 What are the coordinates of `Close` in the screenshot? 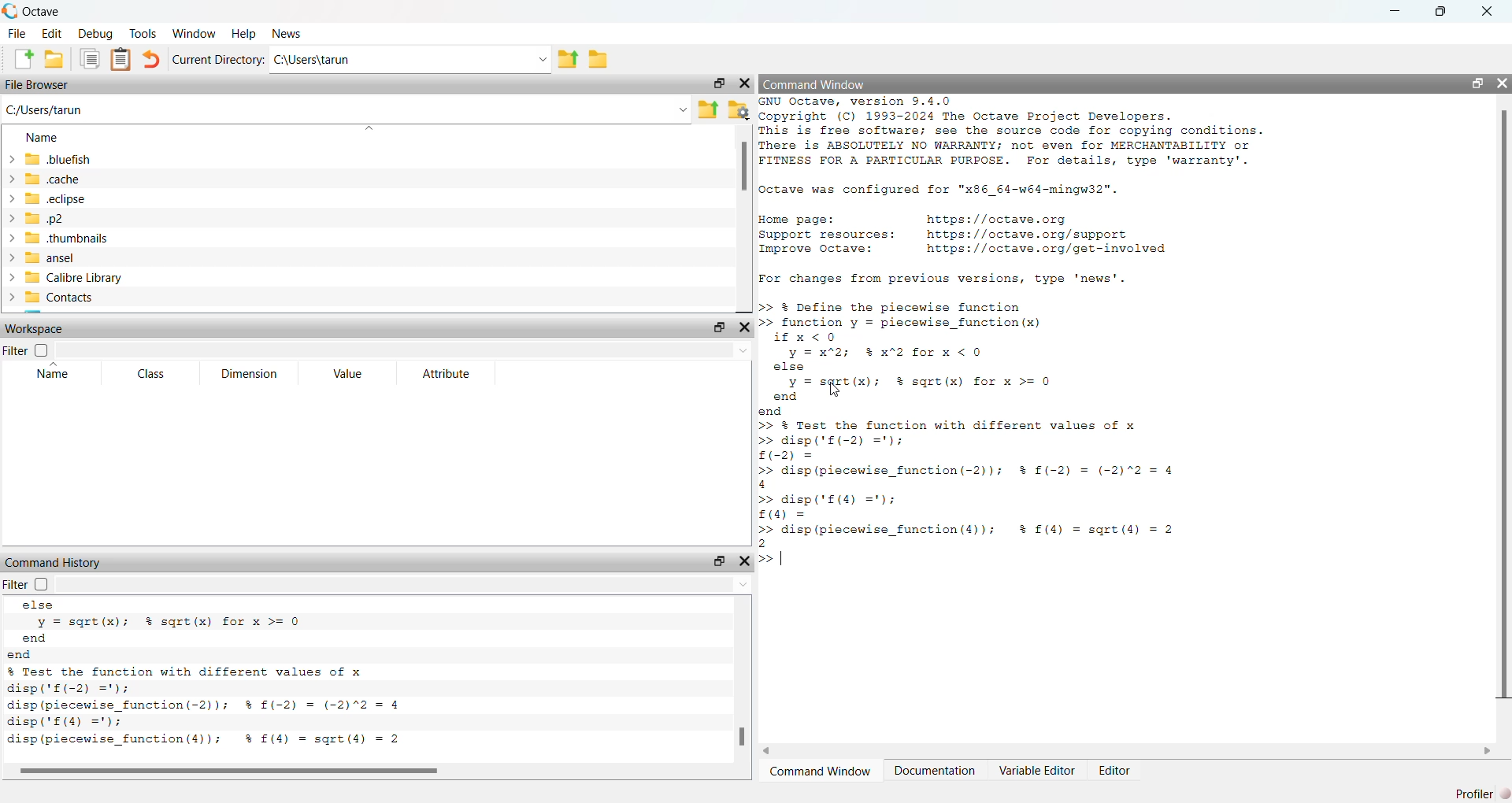 It's located at (743, 561).